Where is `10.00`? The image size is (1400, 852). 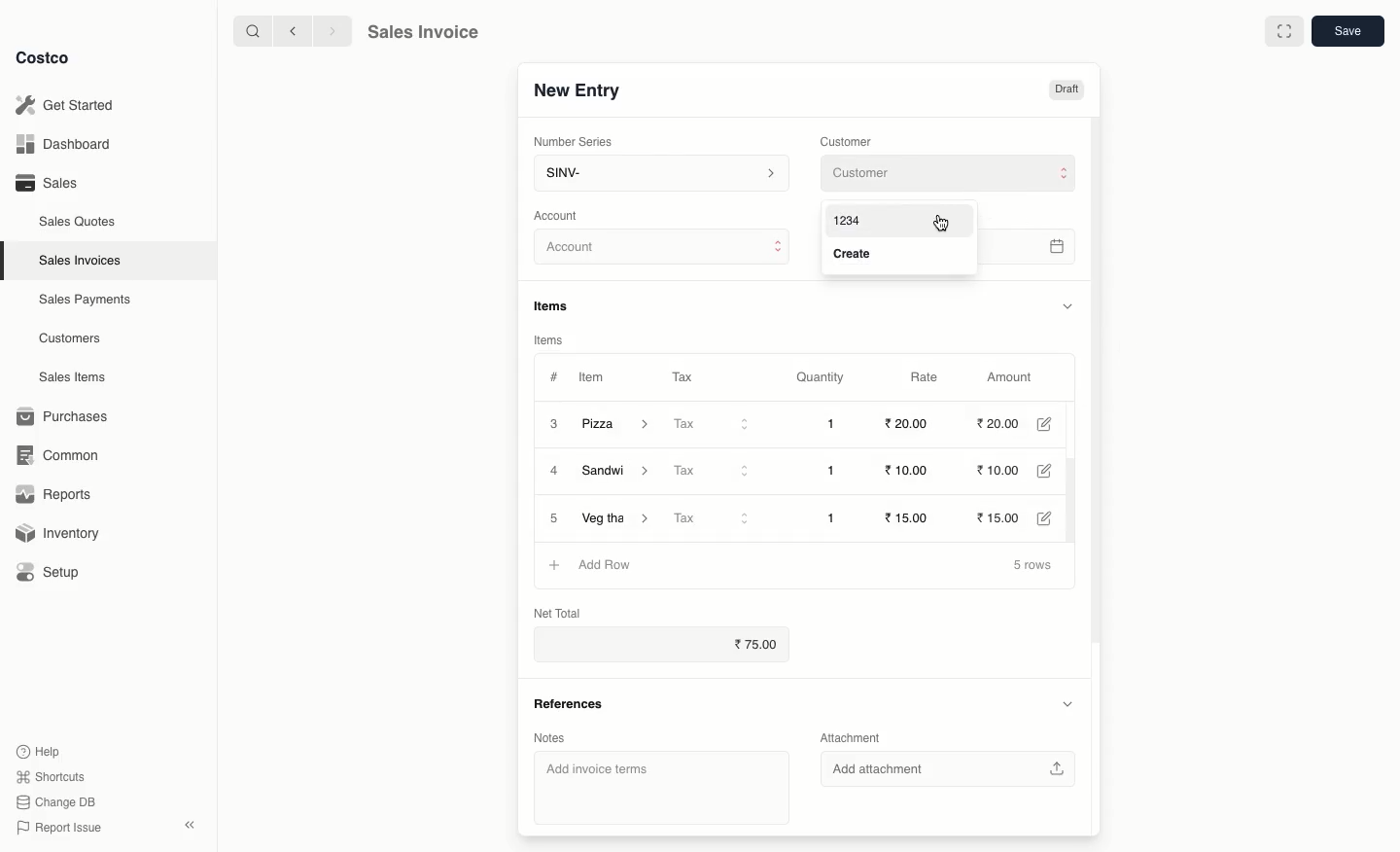
10.00 is located at coordinates (1007, 472).